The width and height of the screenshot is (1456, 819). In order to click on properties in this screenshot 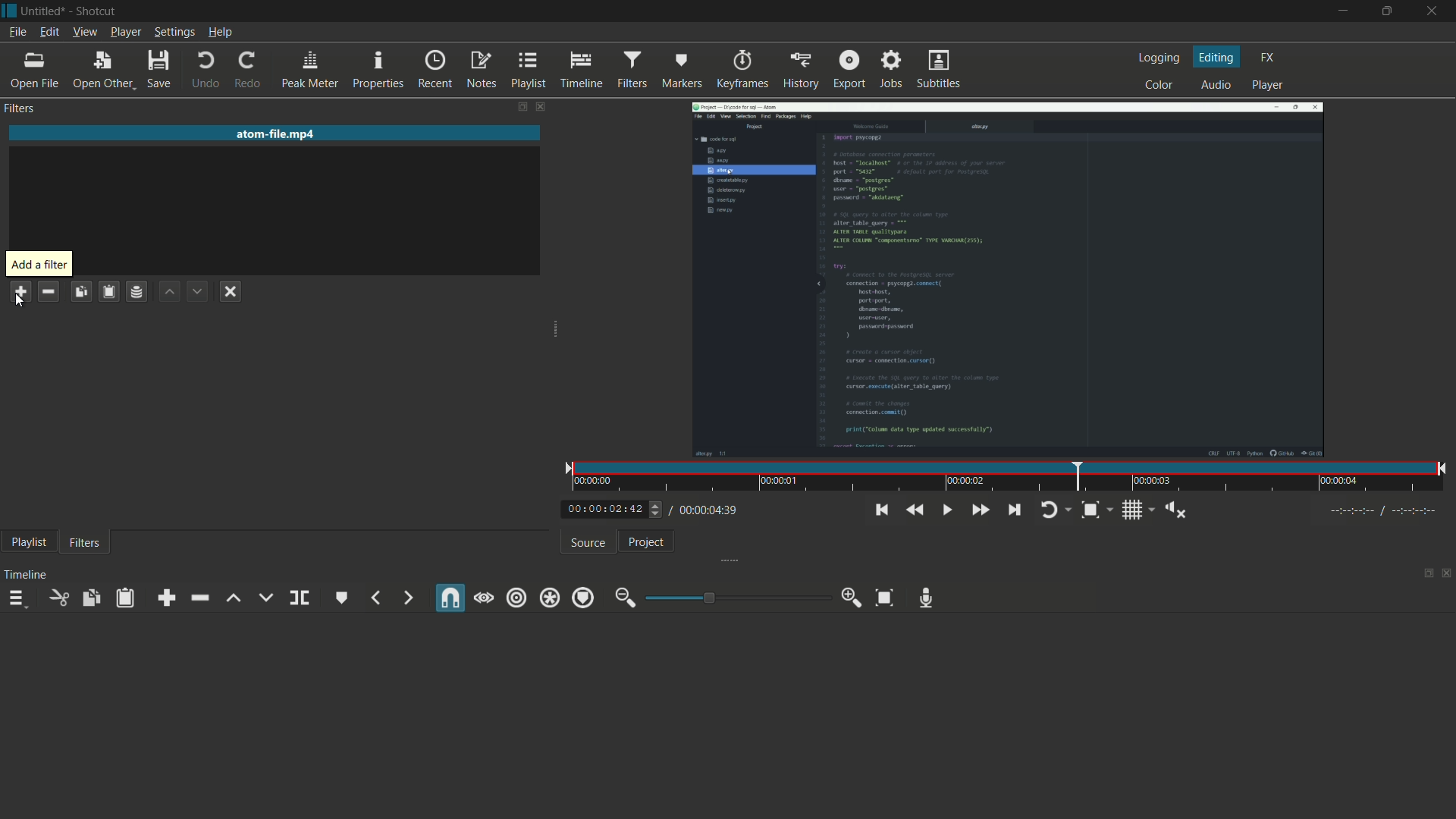, I will do `click(377, 71)`.